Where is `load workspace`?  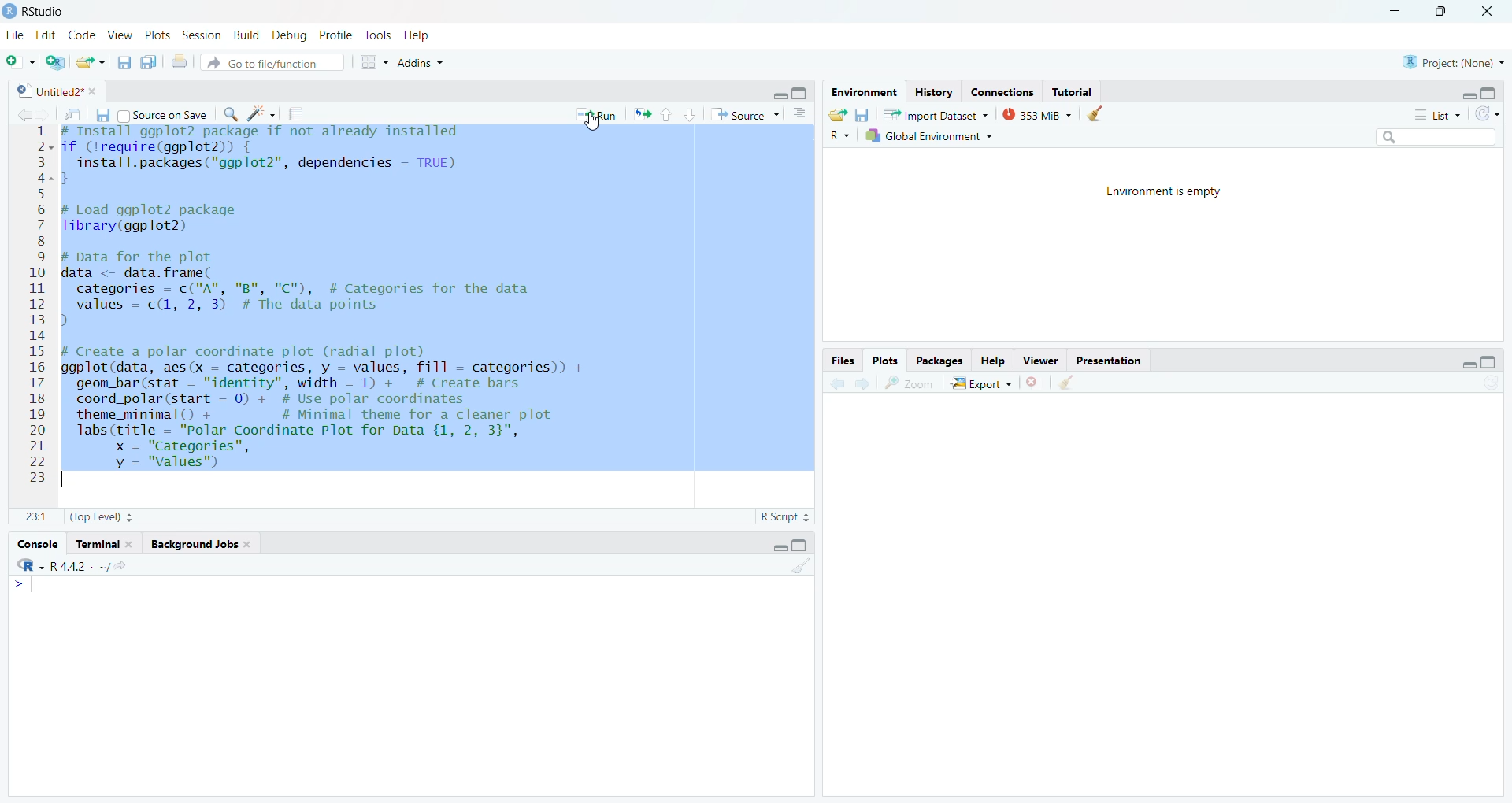
load workspace is located at coordinates (839, 115).